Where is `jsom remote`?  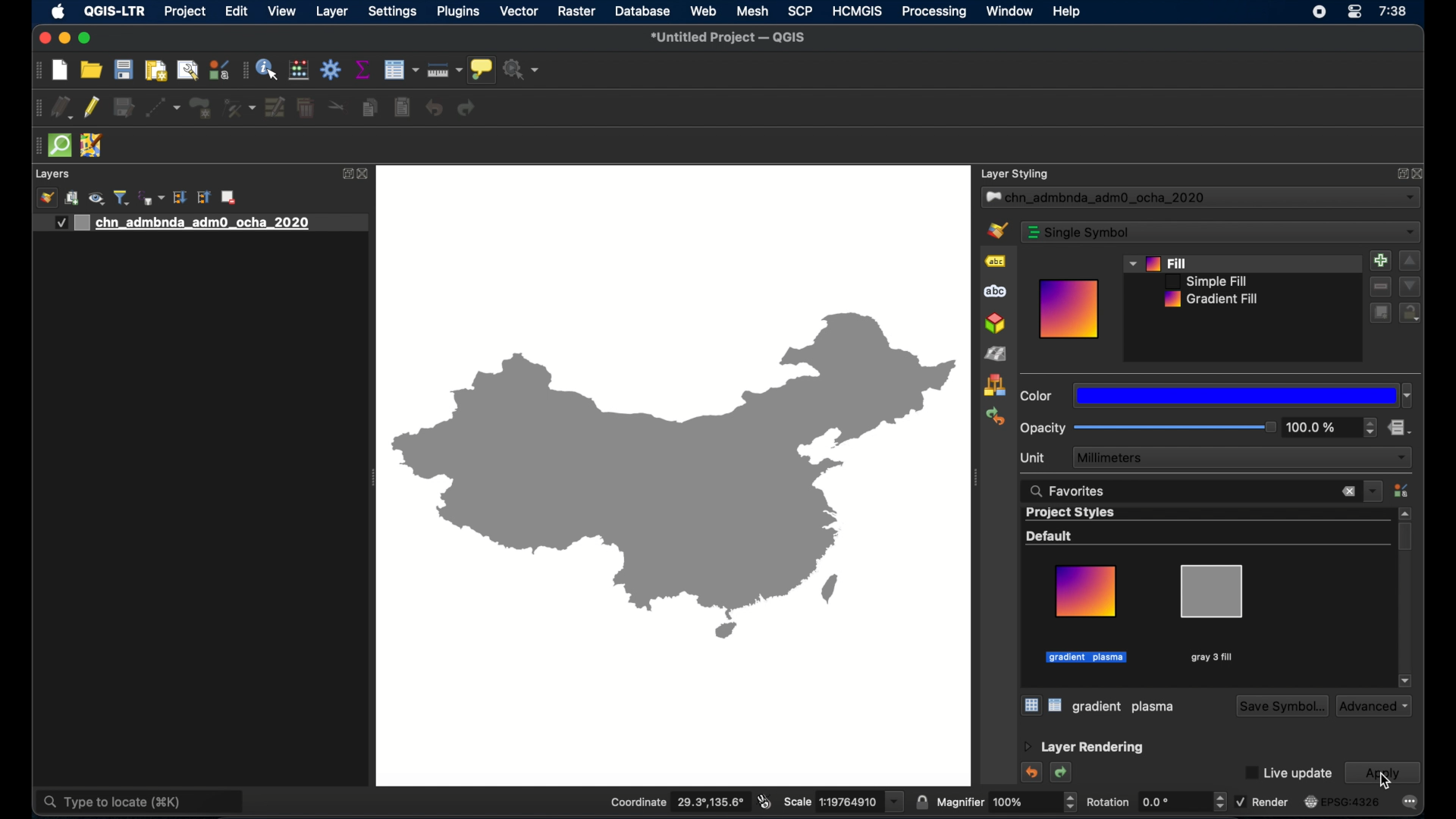
jsom remote is located at coordinates (93, 145).